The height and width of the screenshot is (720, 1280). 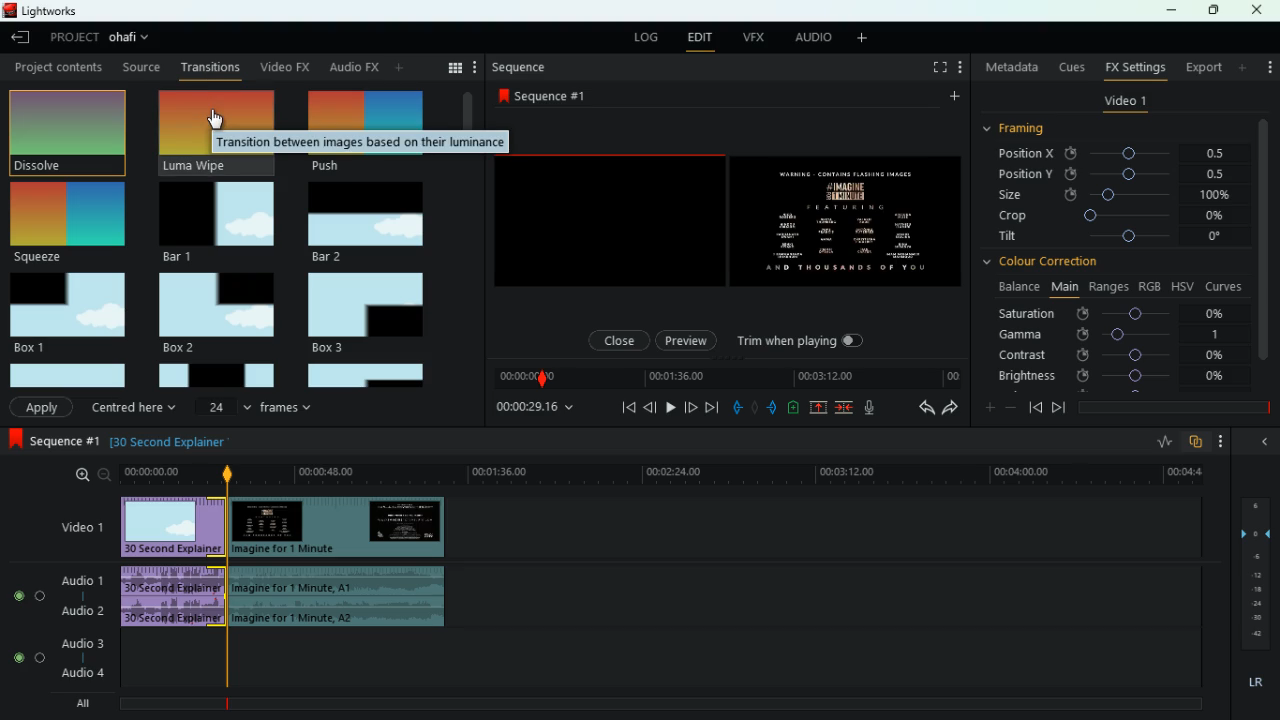 What do you see at coordinates (475, 67) in the screenshot?
I see `more` at bounding box center [475, 67].